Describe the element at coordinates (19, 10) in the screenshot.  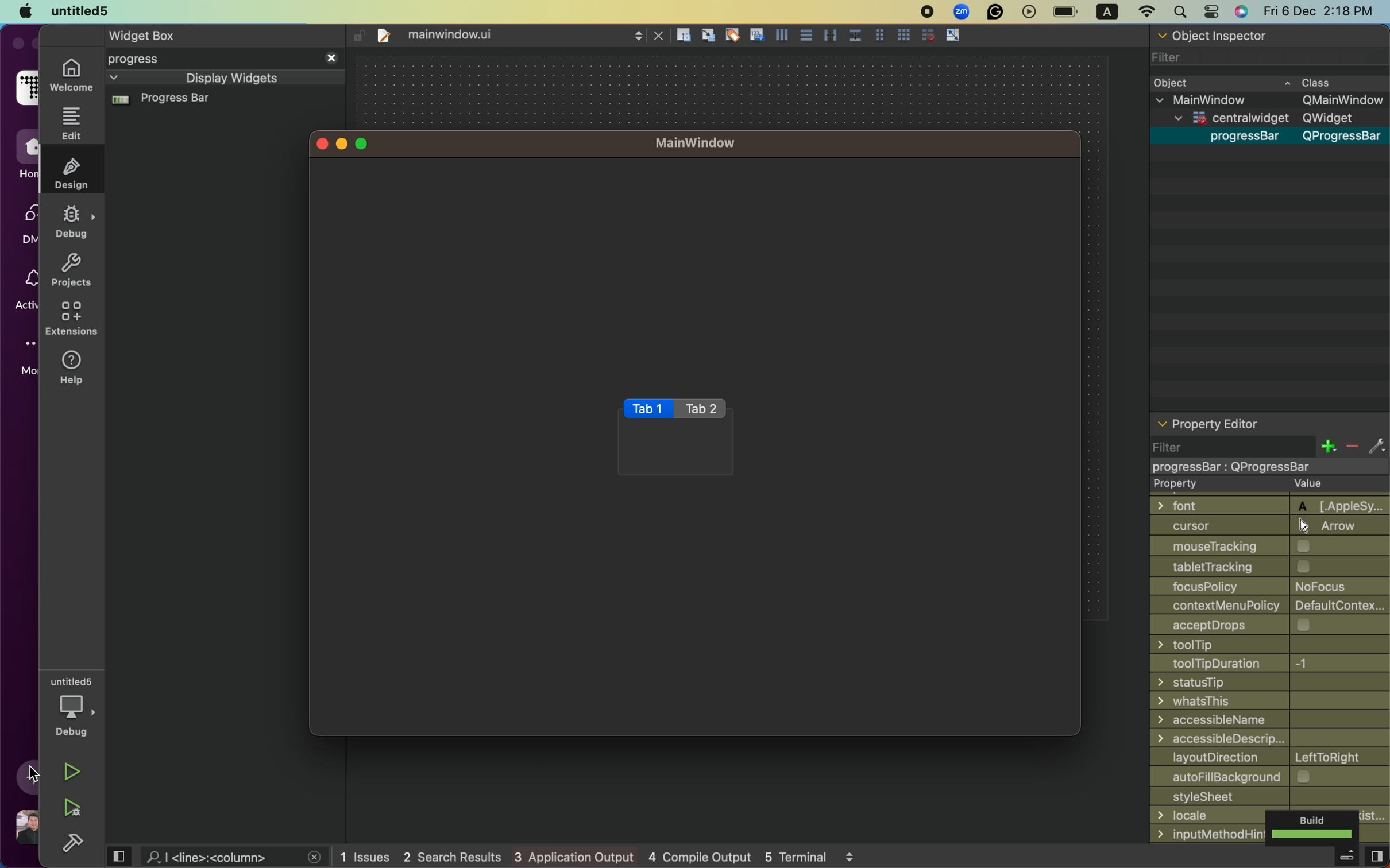
I see `apple button` at that location.